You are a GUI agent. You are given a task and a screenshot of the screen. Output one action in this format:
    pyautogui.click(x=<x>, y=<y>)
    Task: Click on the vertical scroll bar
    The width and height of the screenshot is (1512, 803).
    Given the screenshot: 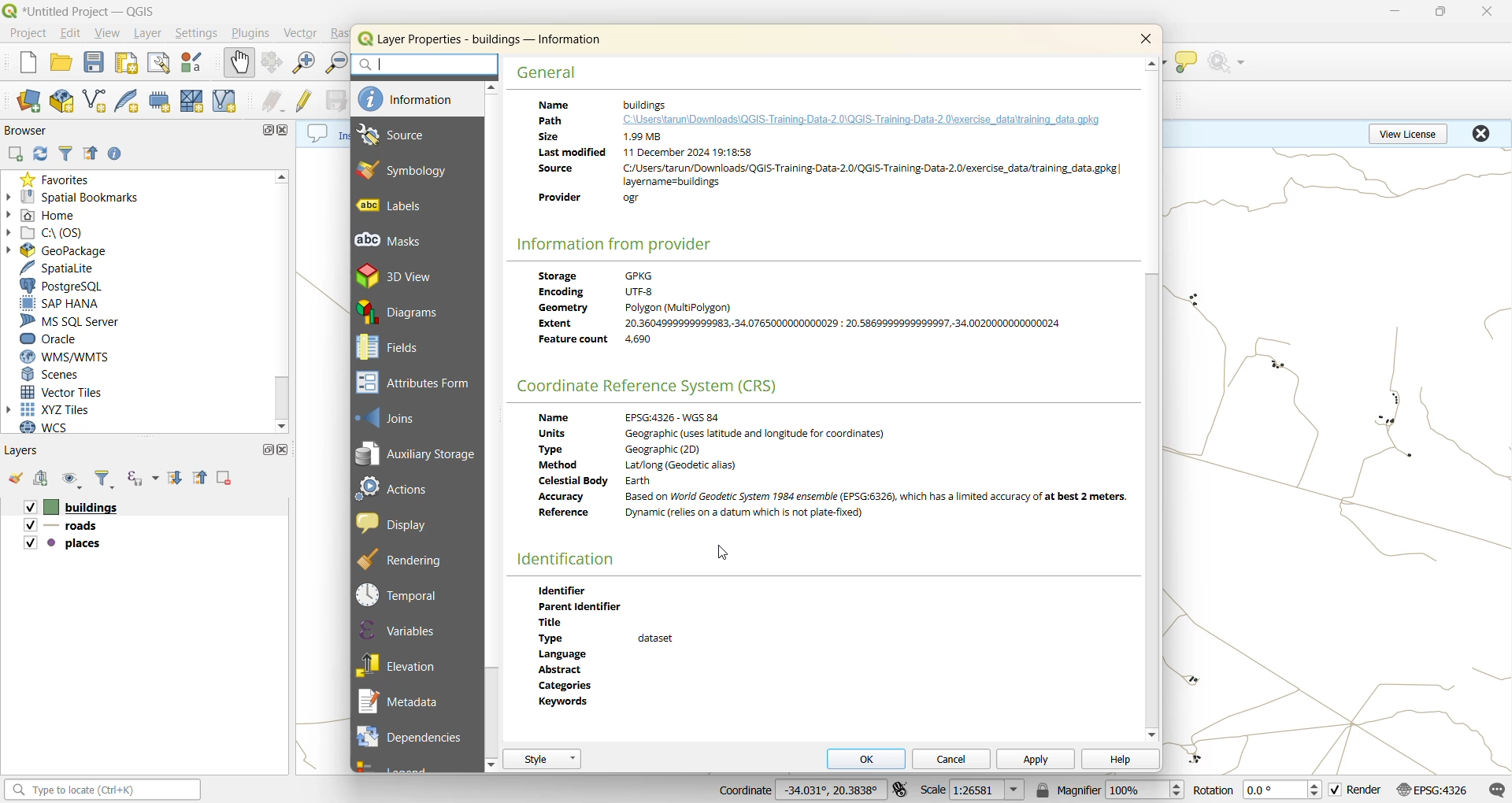 What is the action you would take?
    pyautogui.click(x=495, y=383)
    